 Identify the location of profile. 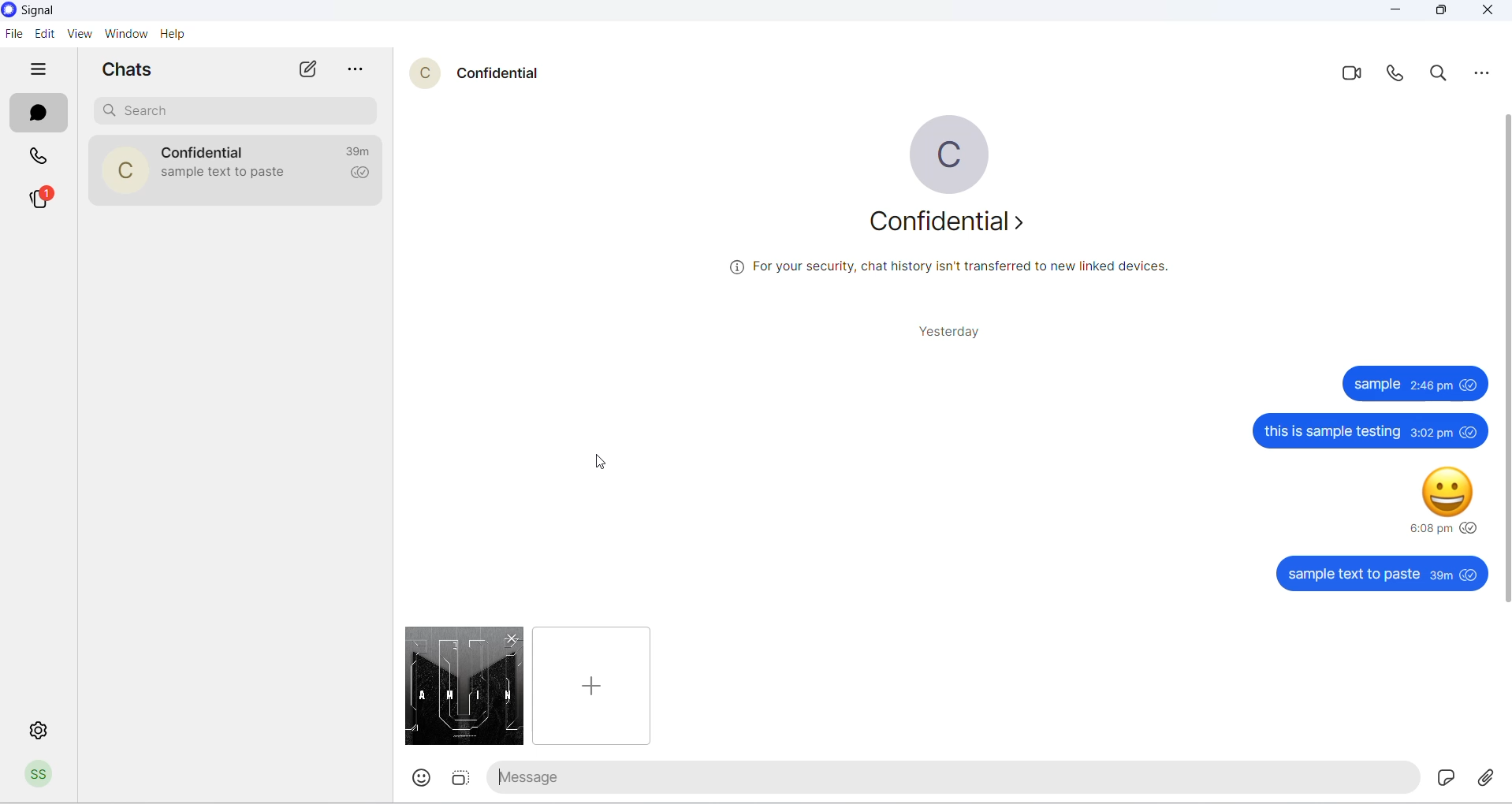
(40, 777).